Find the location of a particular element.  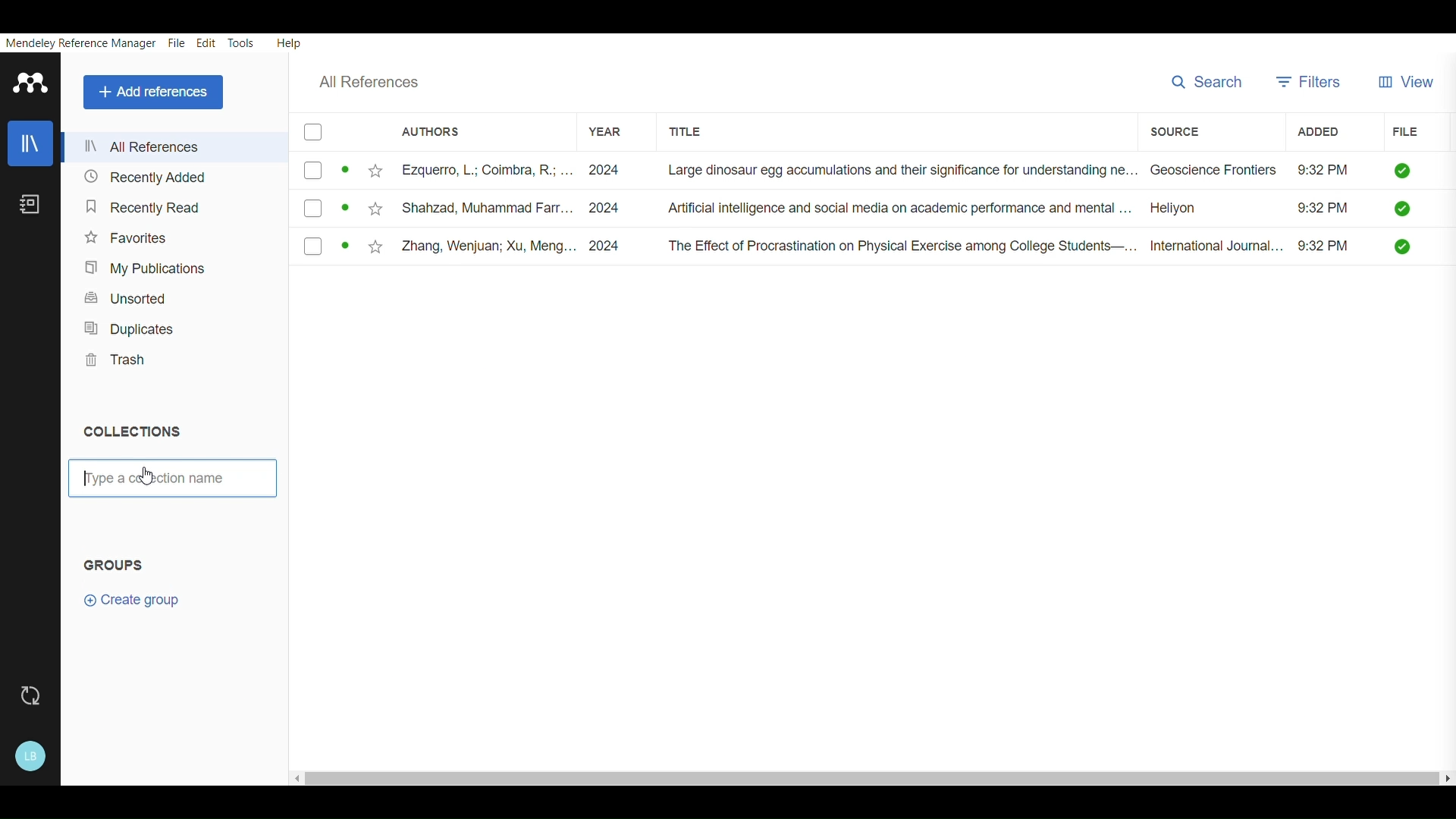

YEAR is located at coordinates (599, 125).